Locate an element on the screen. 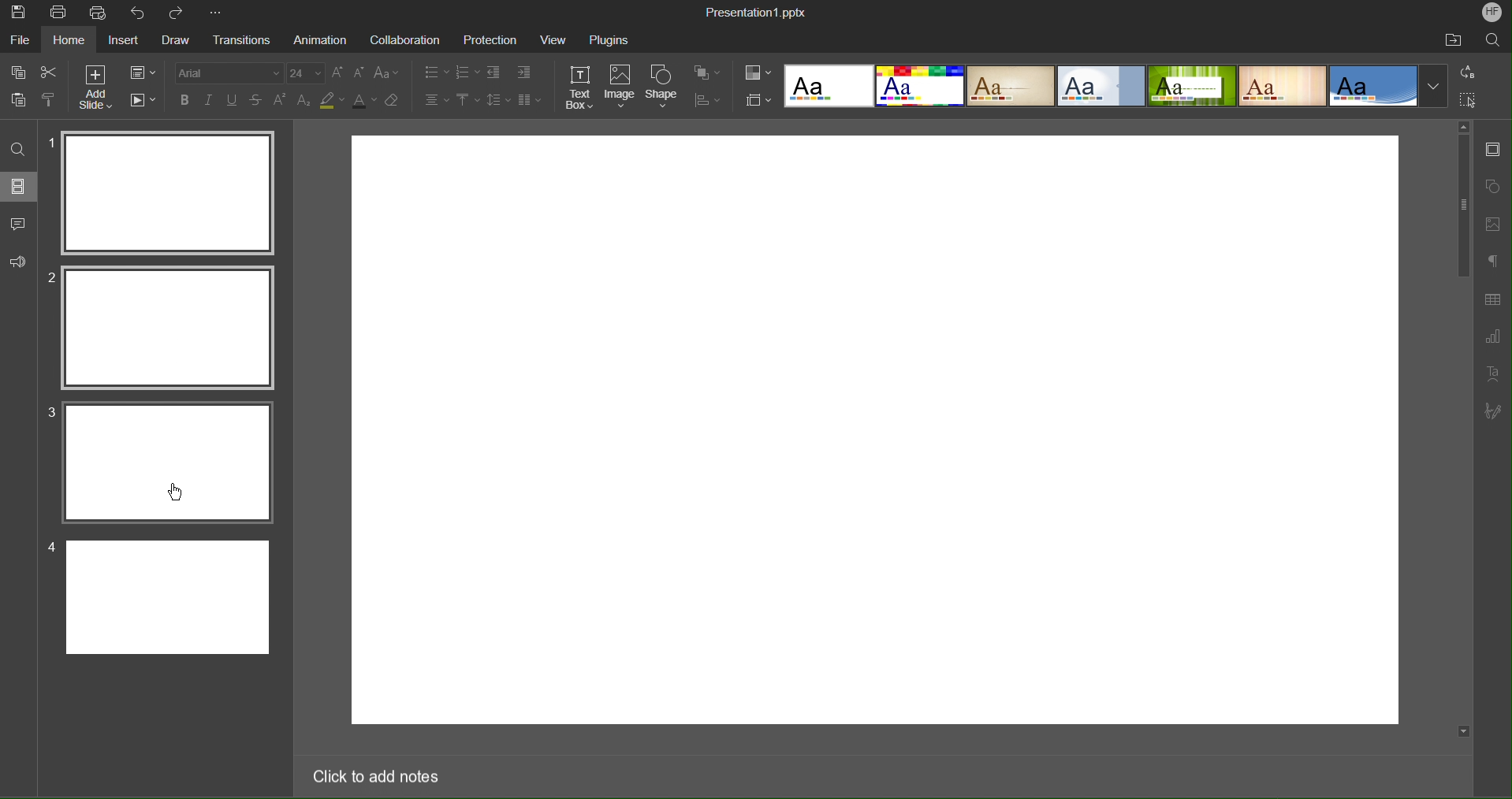  Redo is located at coordinates (178, 13).